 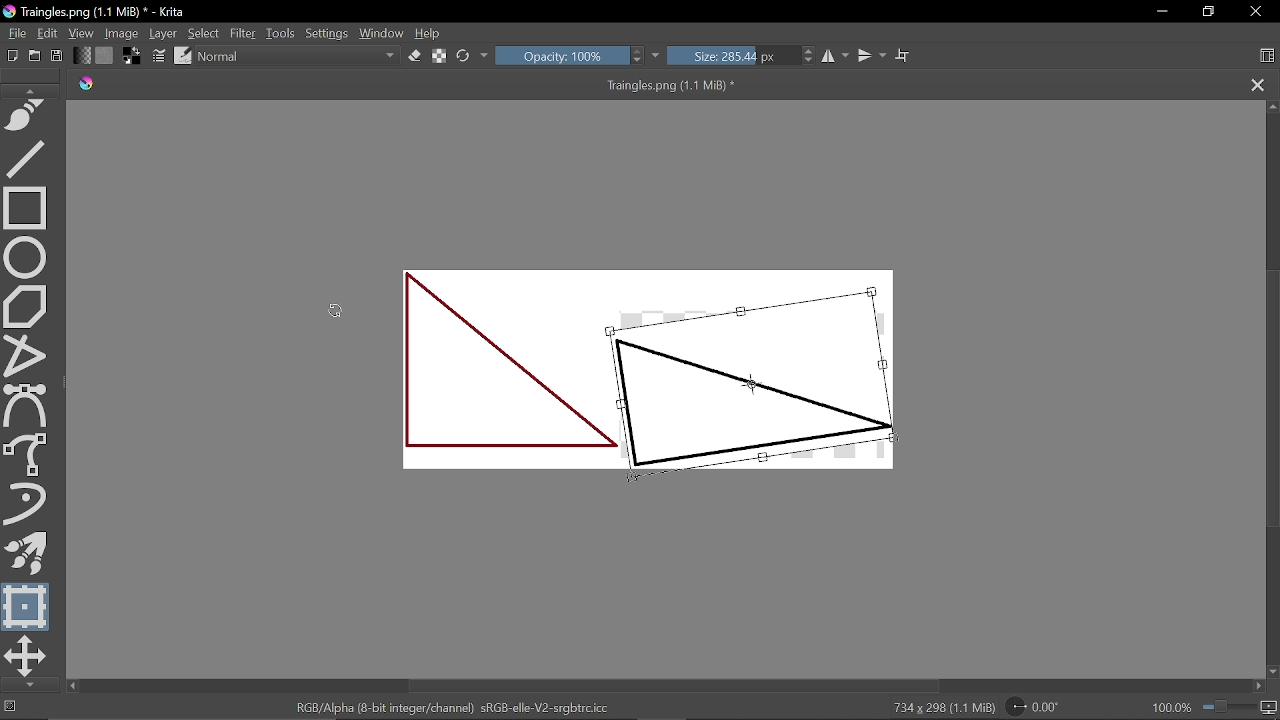 I want to click on Move up, so click(x=1272, y=107).